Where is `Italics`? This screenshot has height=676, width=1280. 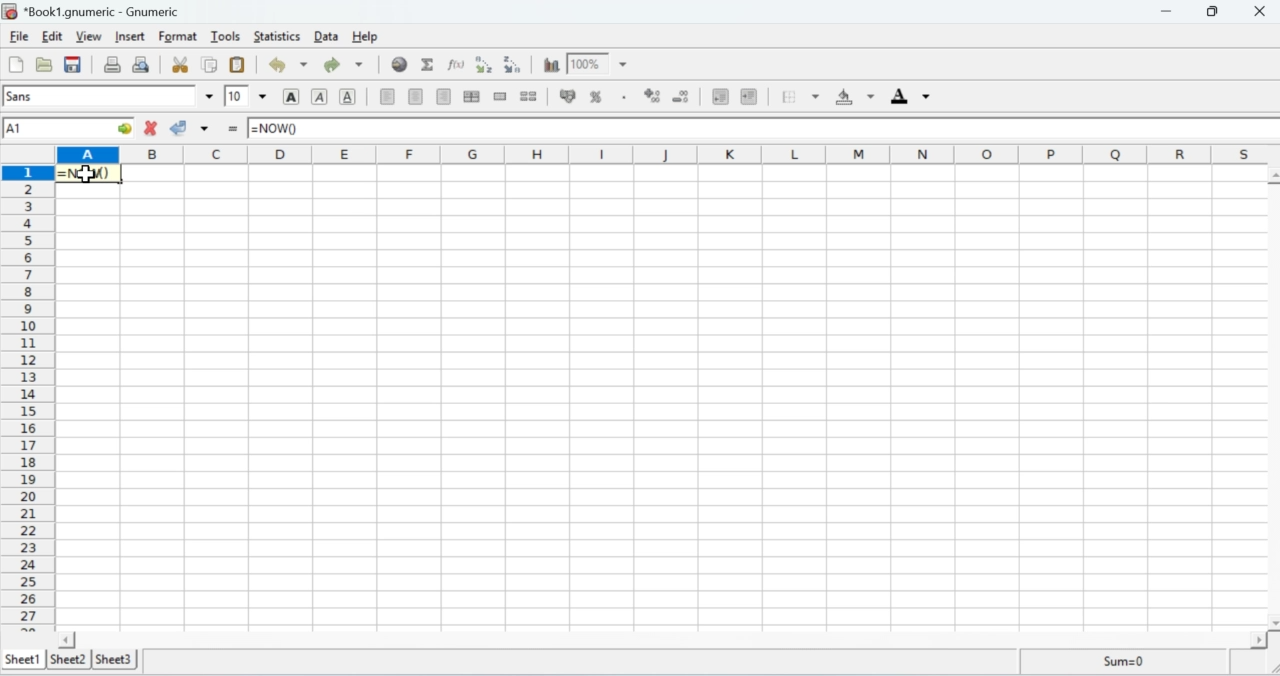
Italics is located at coordinates (320, 97).